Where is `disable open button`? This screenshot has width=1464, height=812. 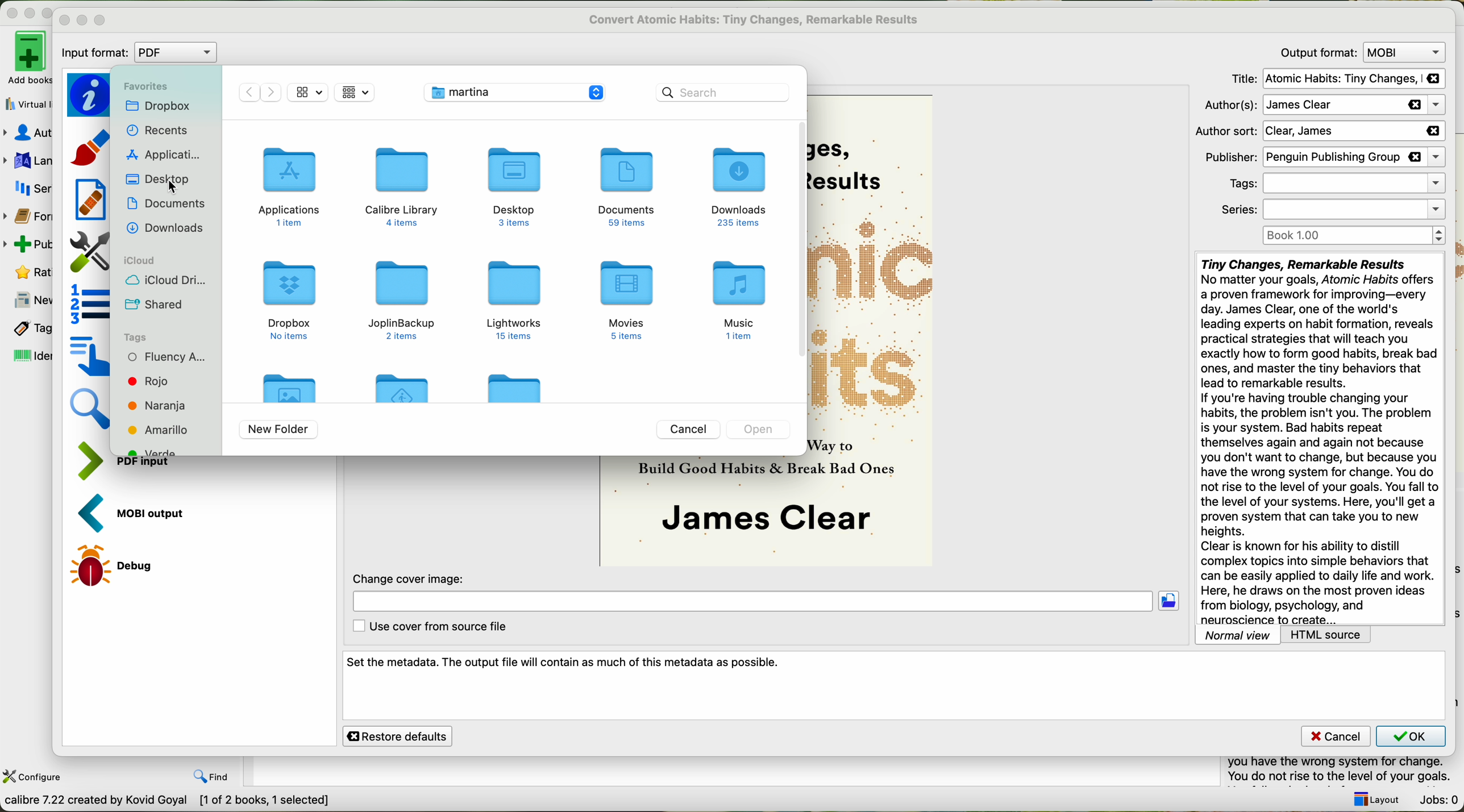 disable open button is located at coordinates (760, 430).